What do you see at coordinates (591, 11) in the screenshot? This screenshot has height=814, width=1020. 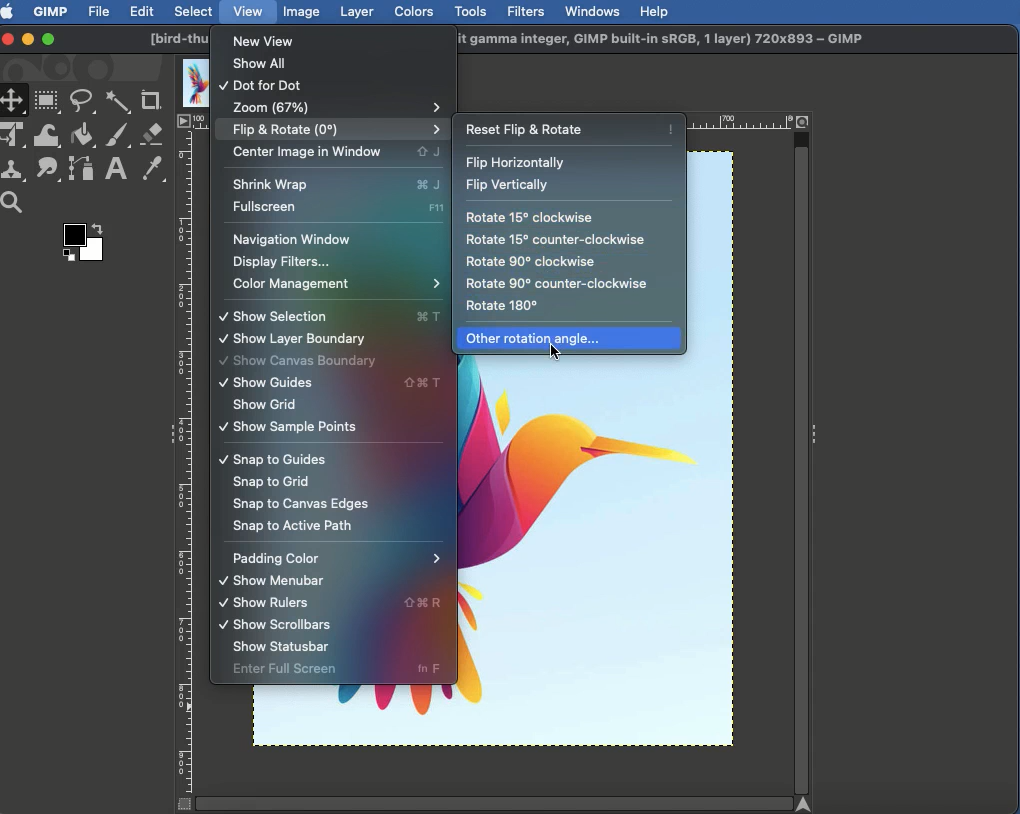 I see `Windows` at bounding box center [591, 11].